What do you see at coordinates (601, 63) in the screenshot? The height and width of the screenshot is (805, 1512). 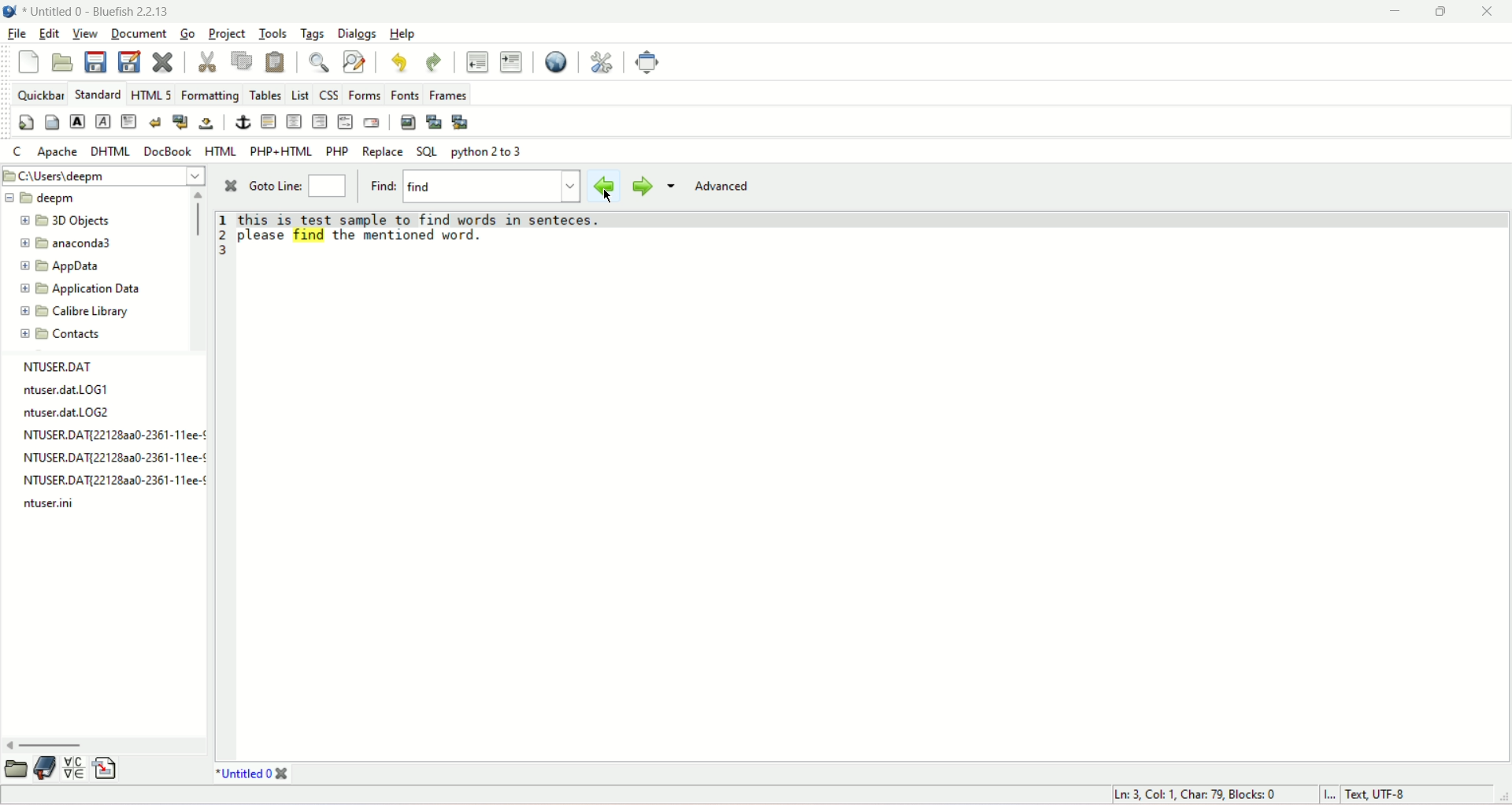 I see `edit preferences` at bounding box center [601, 63].